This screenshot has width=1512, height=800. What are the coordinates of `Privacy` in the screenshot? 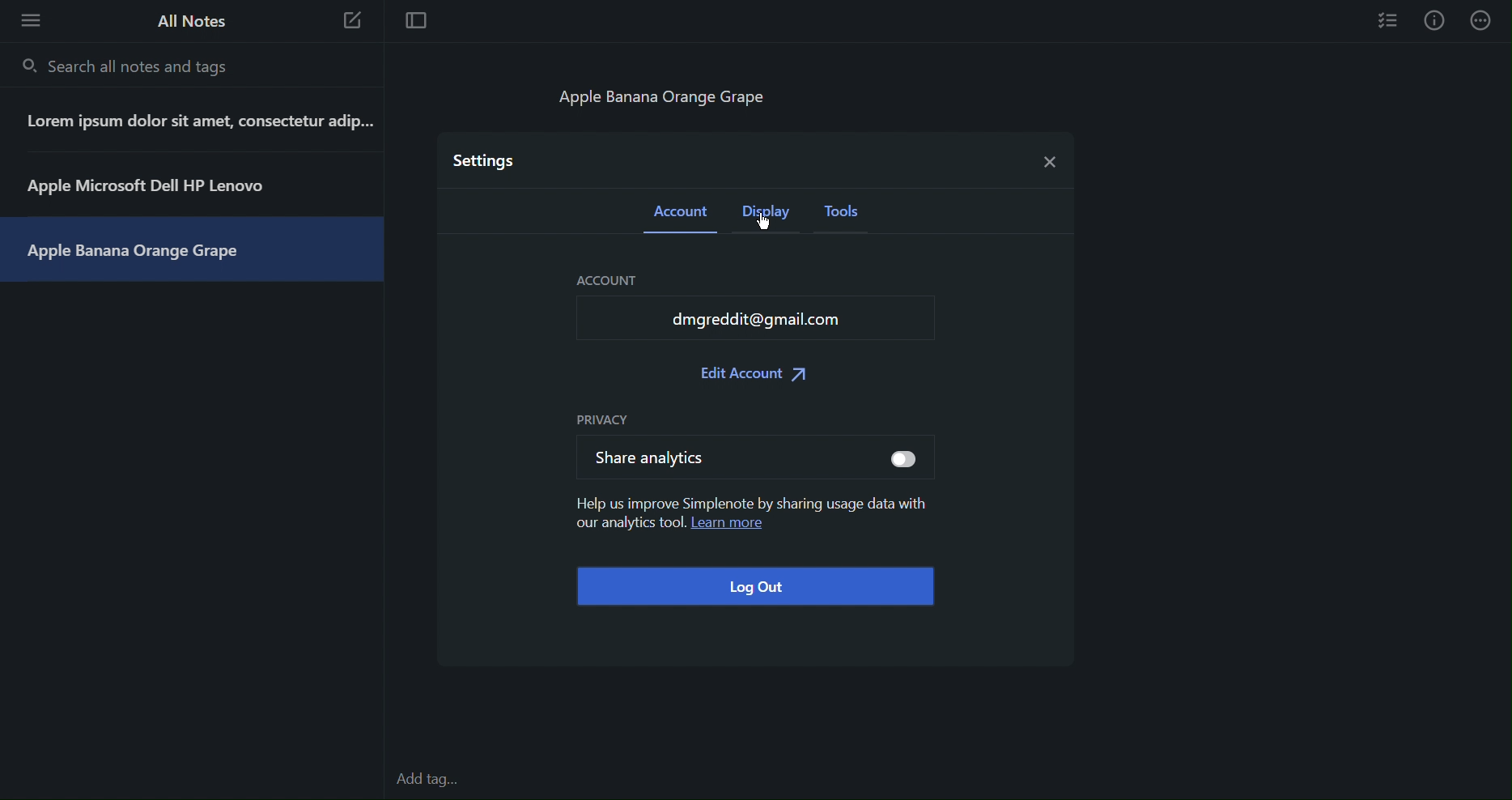 It's located at (604, 419).